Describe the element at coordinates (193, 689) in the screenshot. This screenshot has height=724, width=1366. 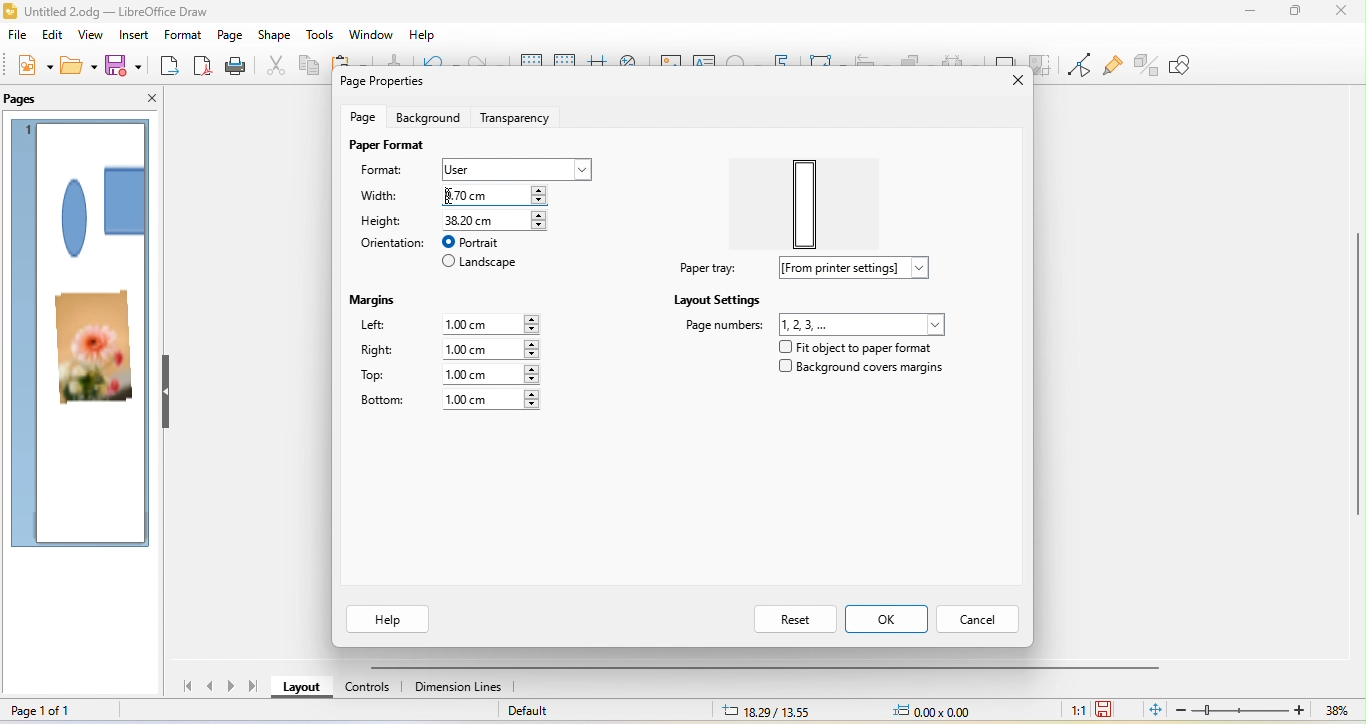
I see ` first page` at that location.